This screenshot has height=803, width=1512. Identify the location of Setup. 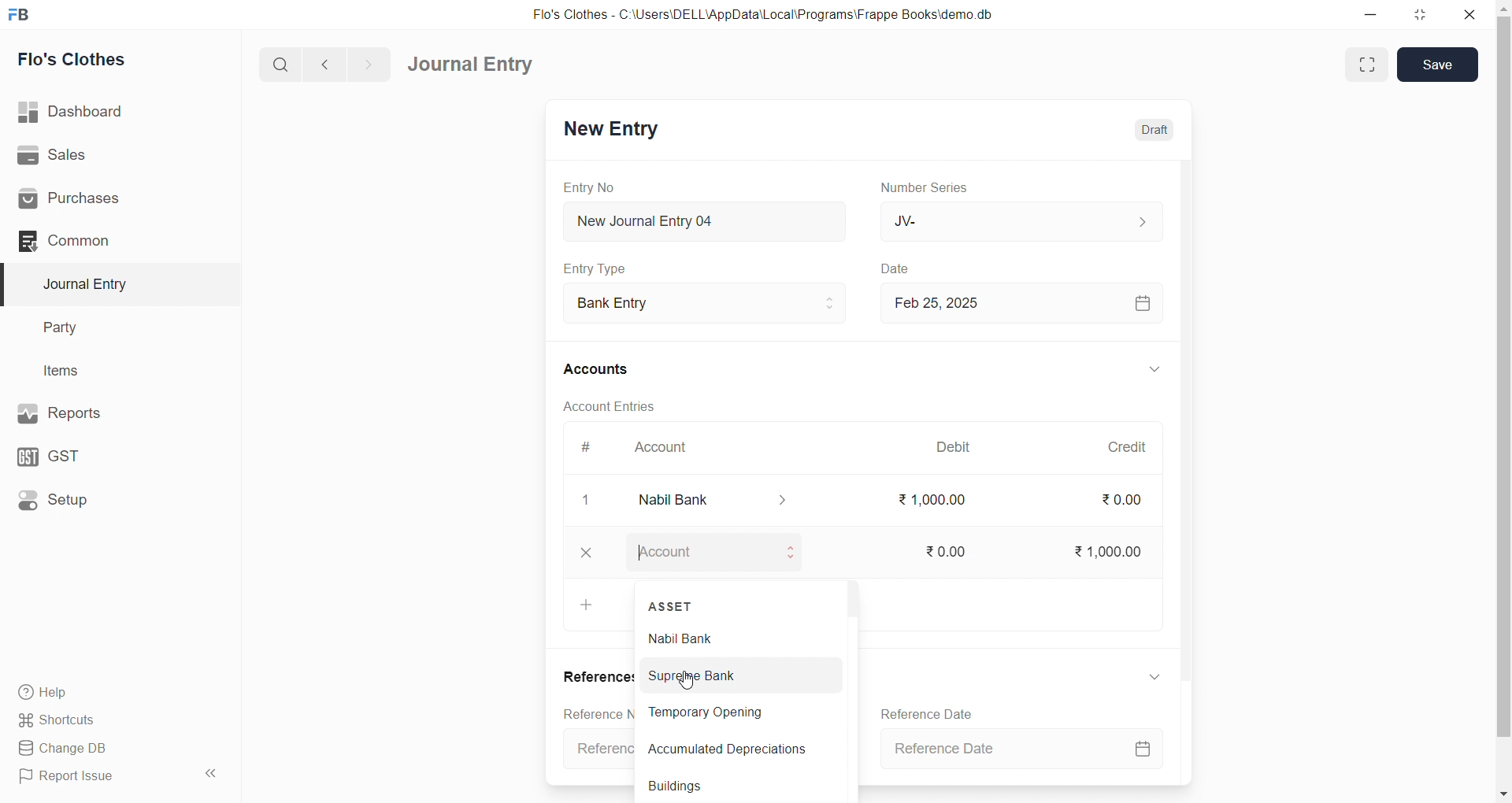
(111, 498).